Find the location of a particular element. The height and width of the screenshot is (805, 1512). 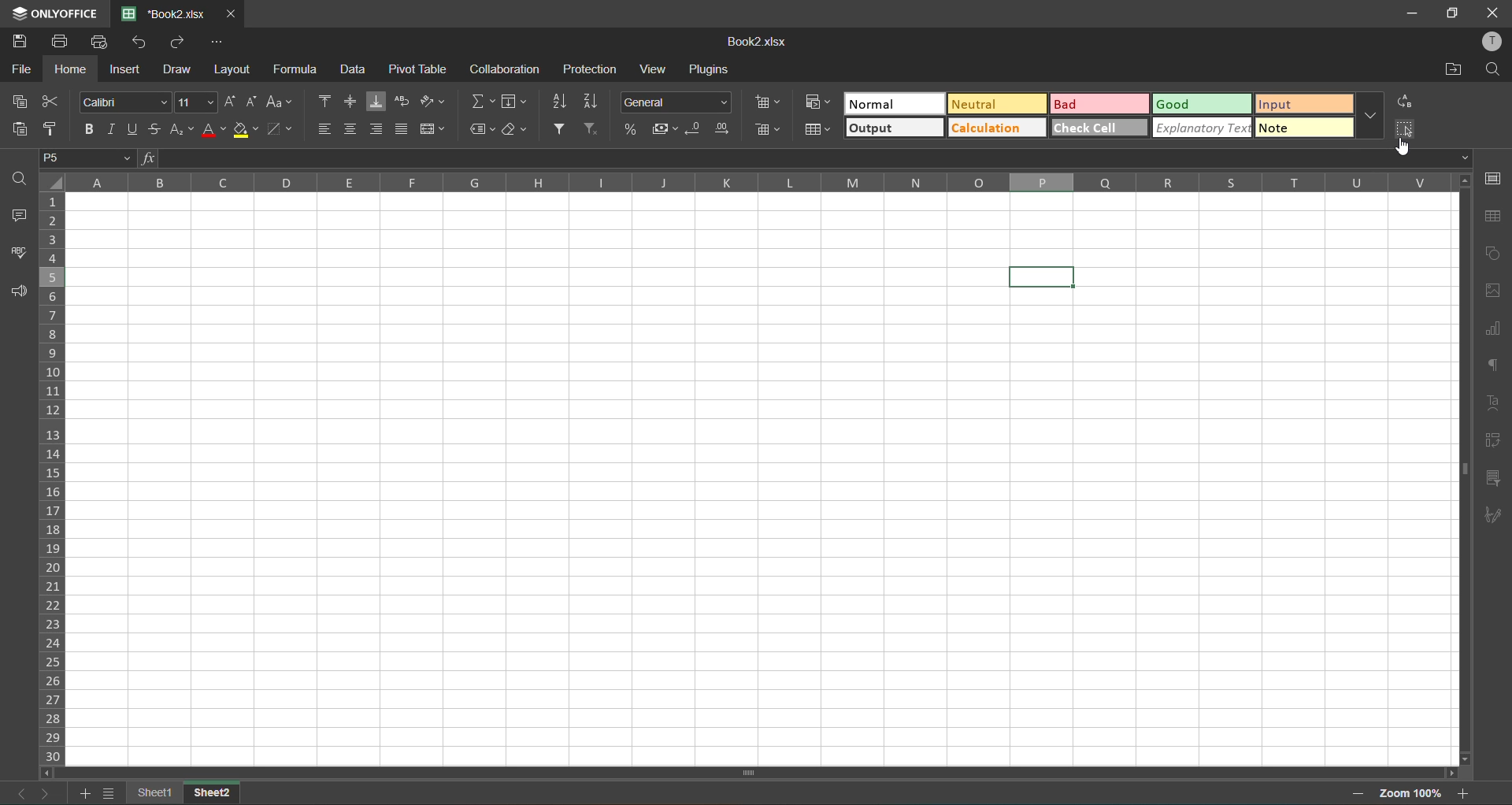

format as table is located at coordinates (817, 130).